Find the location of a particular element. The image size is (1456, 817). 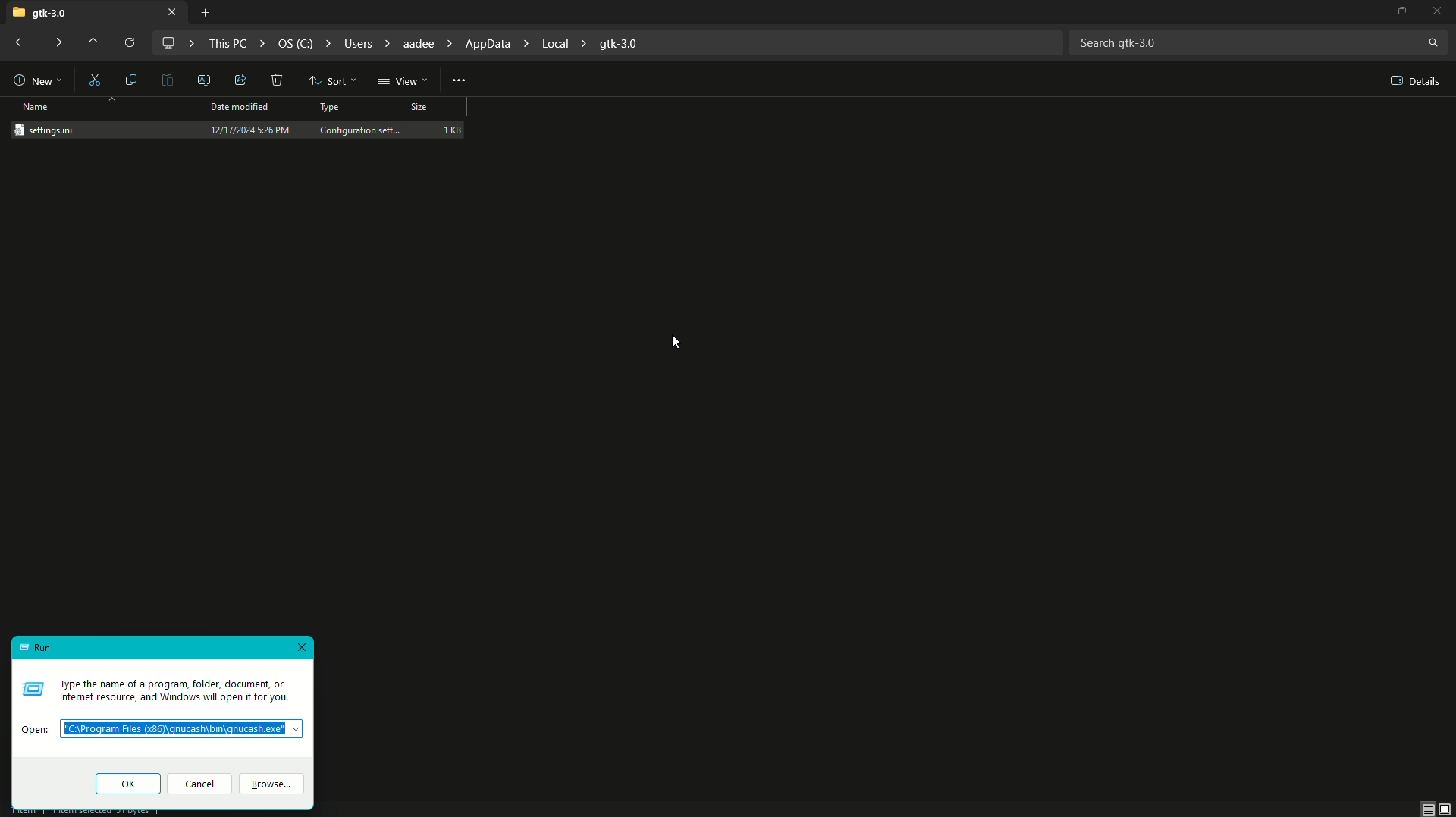

Minimize is located at coordinates (1360, 13).